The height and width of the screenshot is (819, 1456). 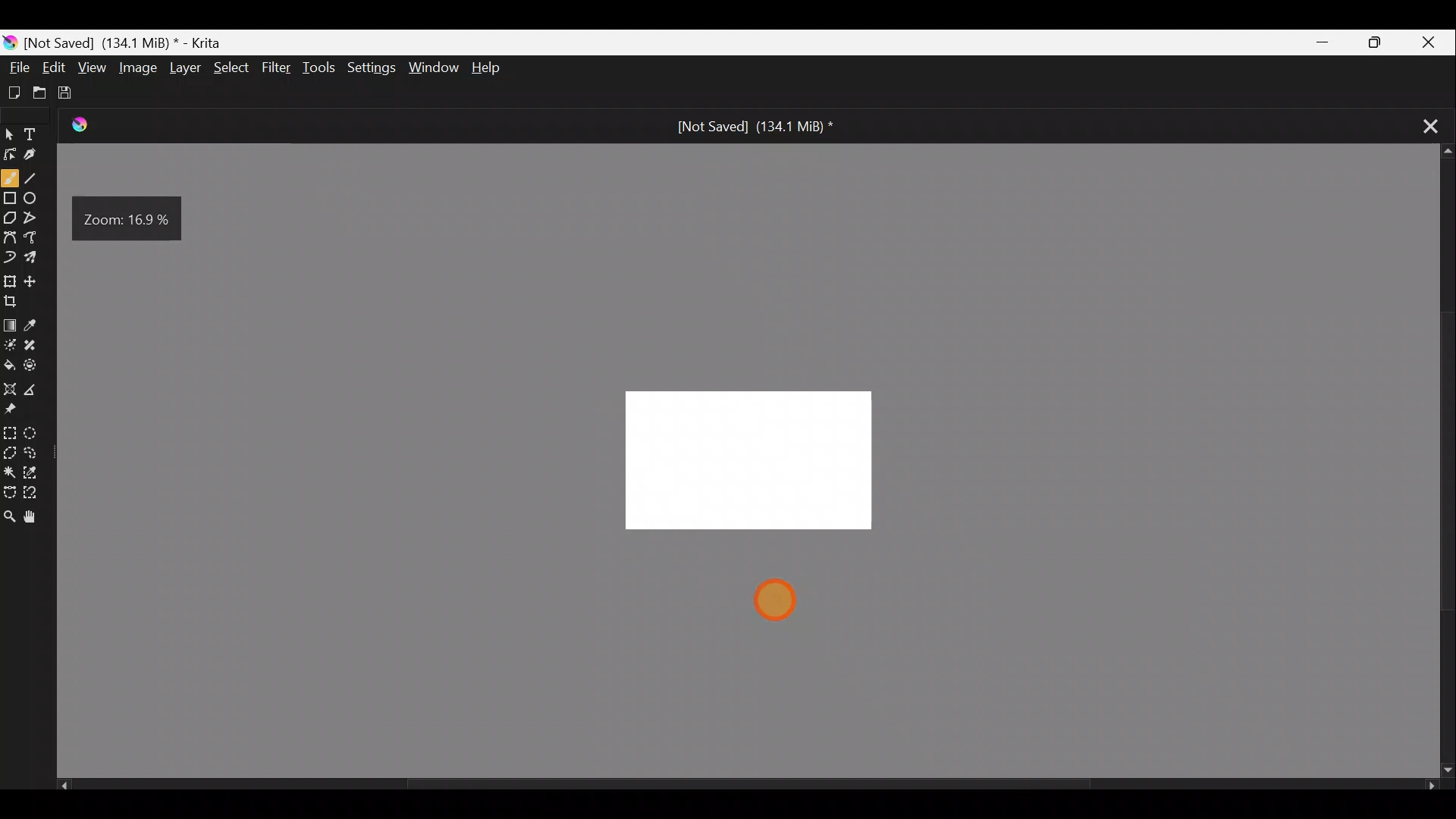 What do you see at coordinates (1441, 462) in the screenshot?
I see `Scroll bar` at bounding box center [1441, 462].